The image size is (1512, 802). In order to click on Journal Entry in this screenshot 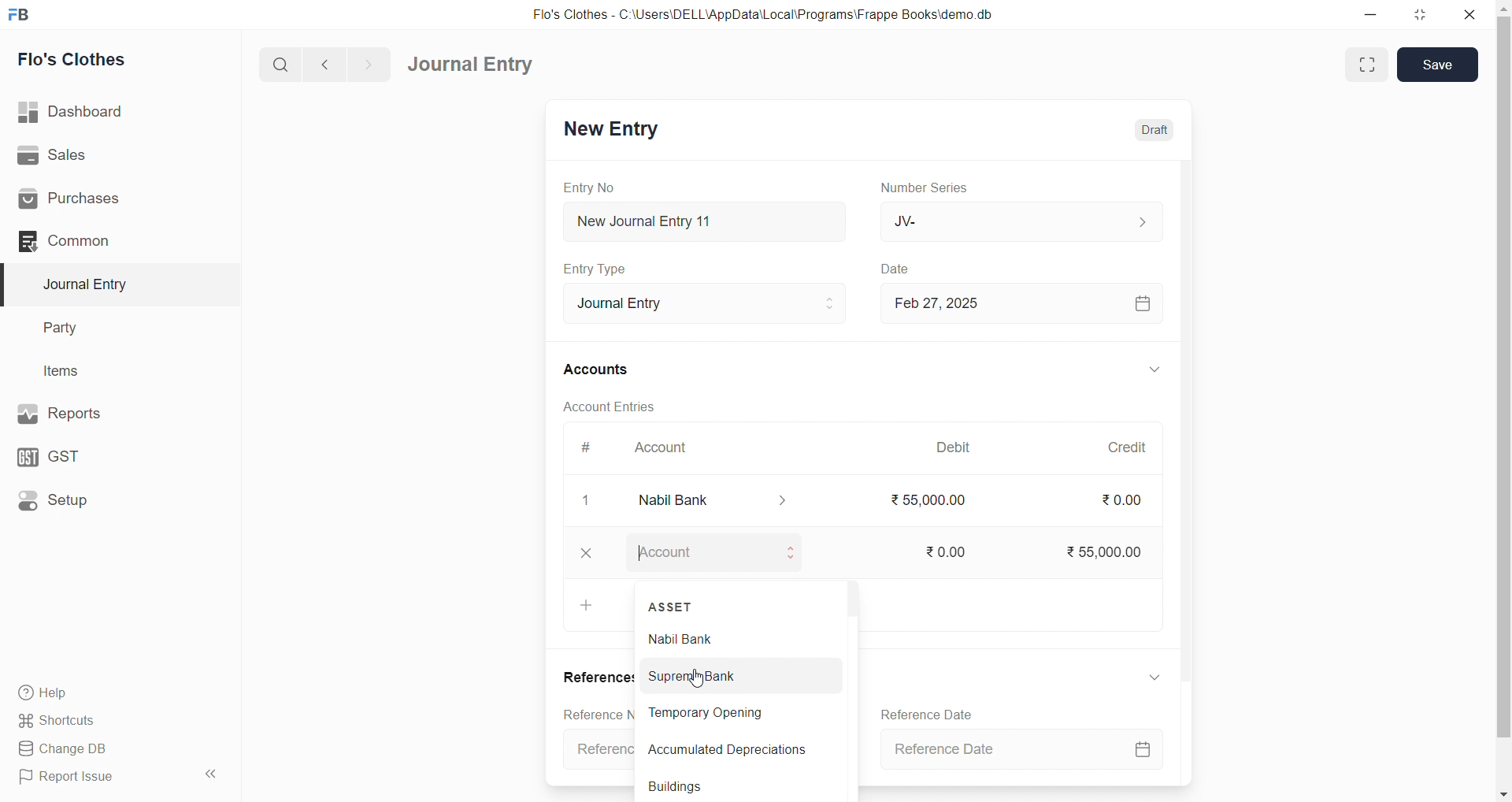, I will do `click(715, 303)`.